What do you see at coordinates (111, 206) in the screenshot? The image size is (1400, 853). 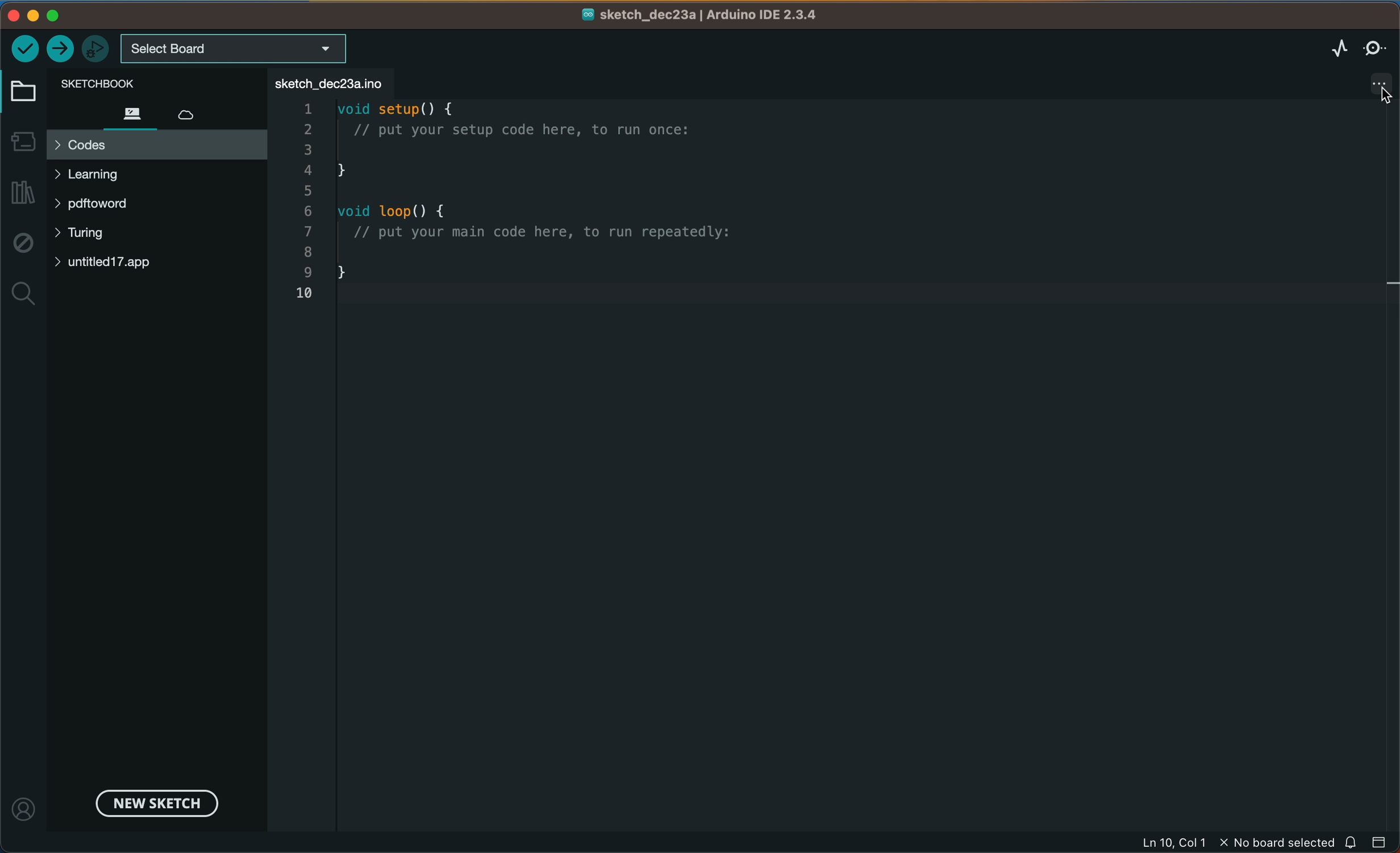 I see `pdftoword` at bounding box center [111, 206].